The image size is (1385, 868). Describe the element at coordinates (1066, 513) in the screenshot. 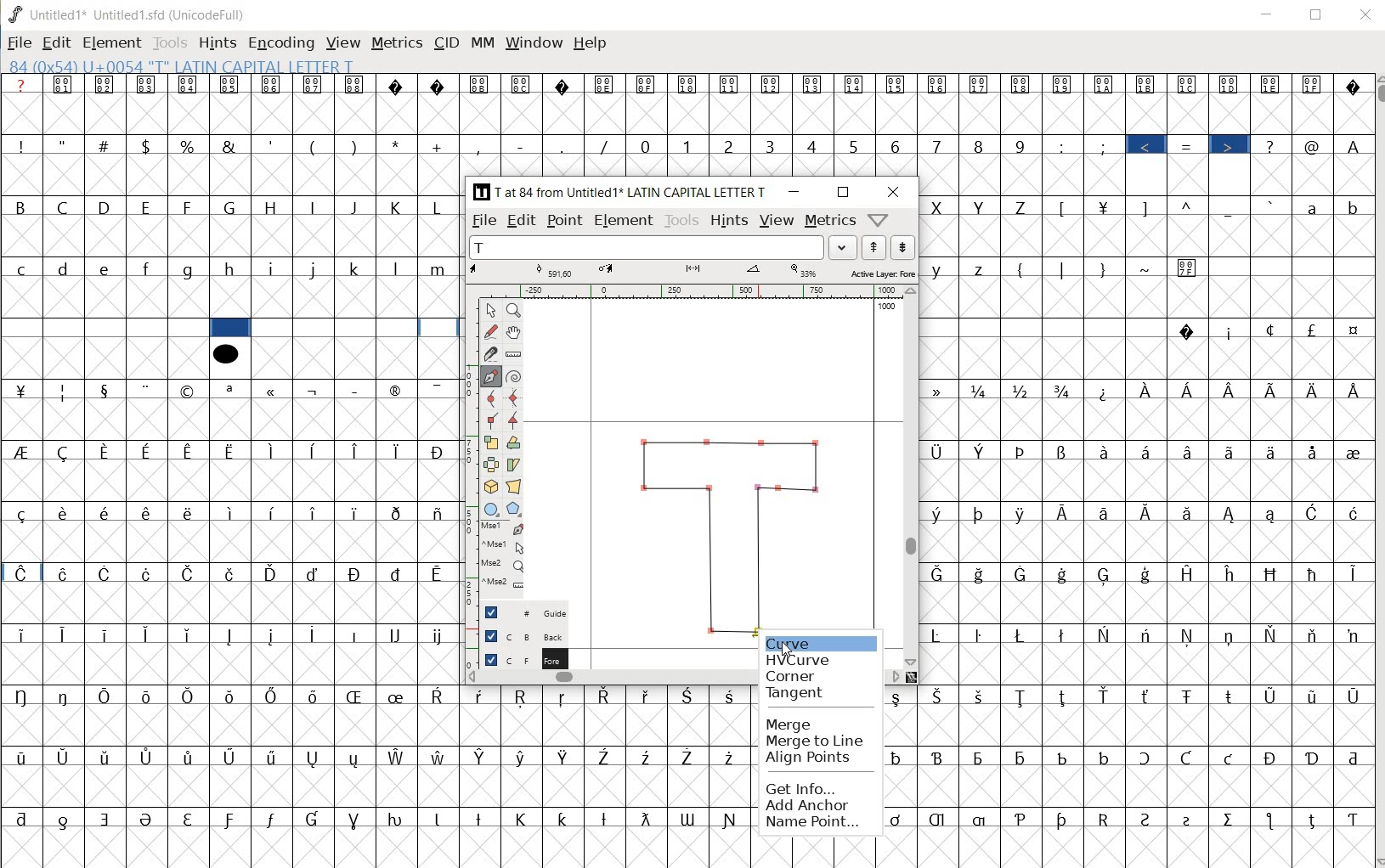

I see `Symbol` at that location.